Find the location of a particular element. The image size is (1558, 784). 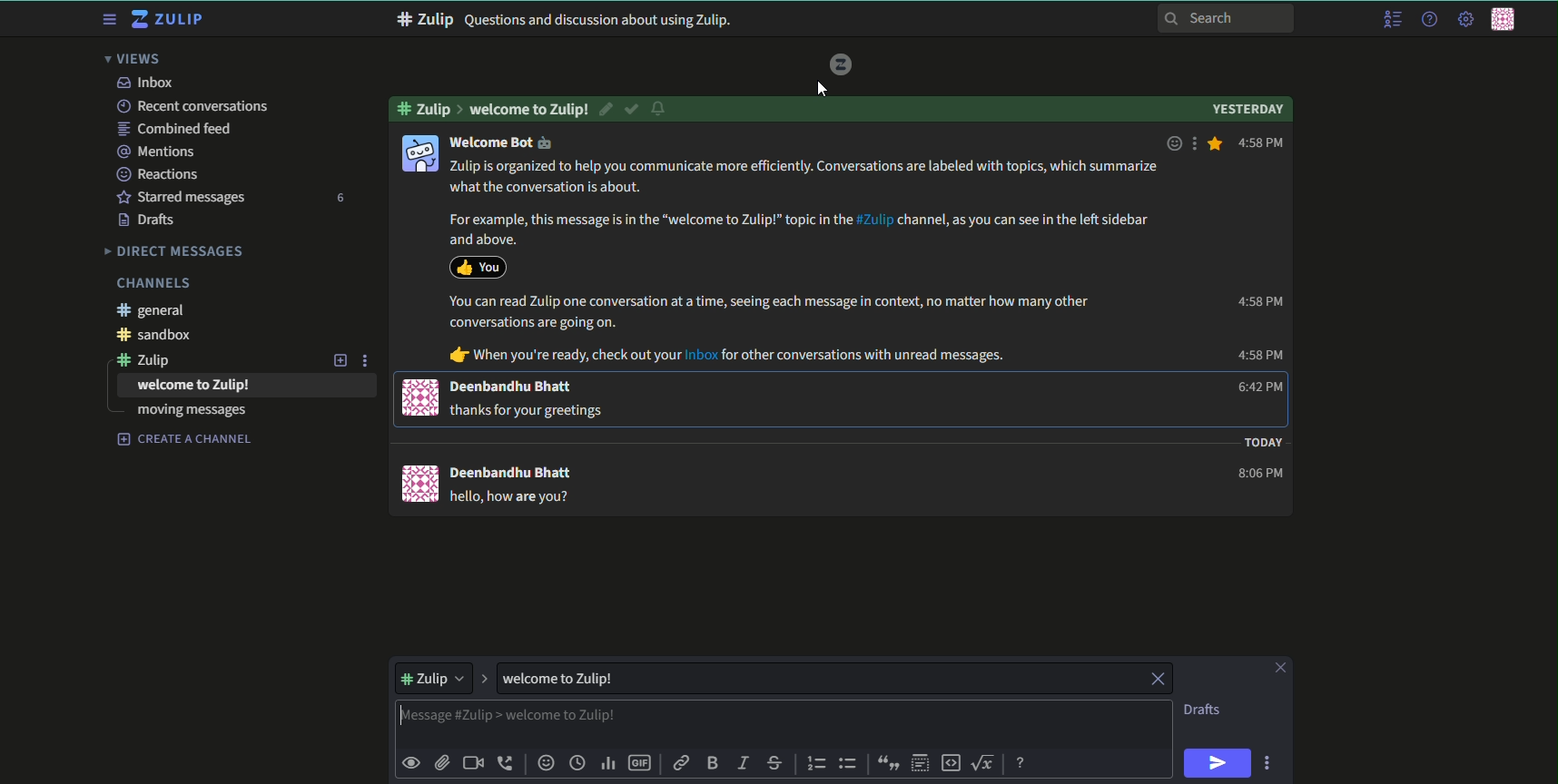

upload files is located at coordinates (441, 761).